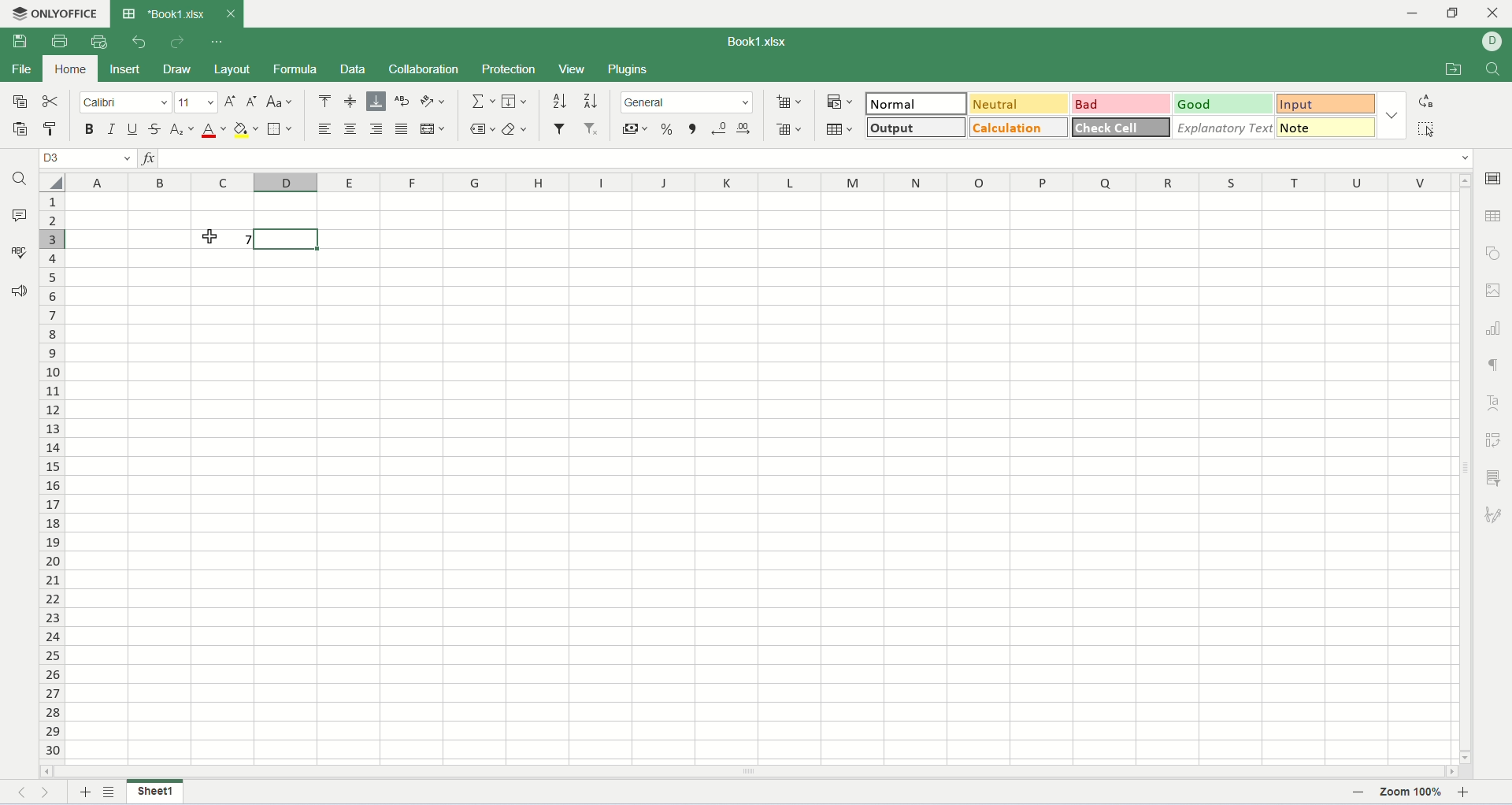  I want to click on replace, so click(1429, 101).